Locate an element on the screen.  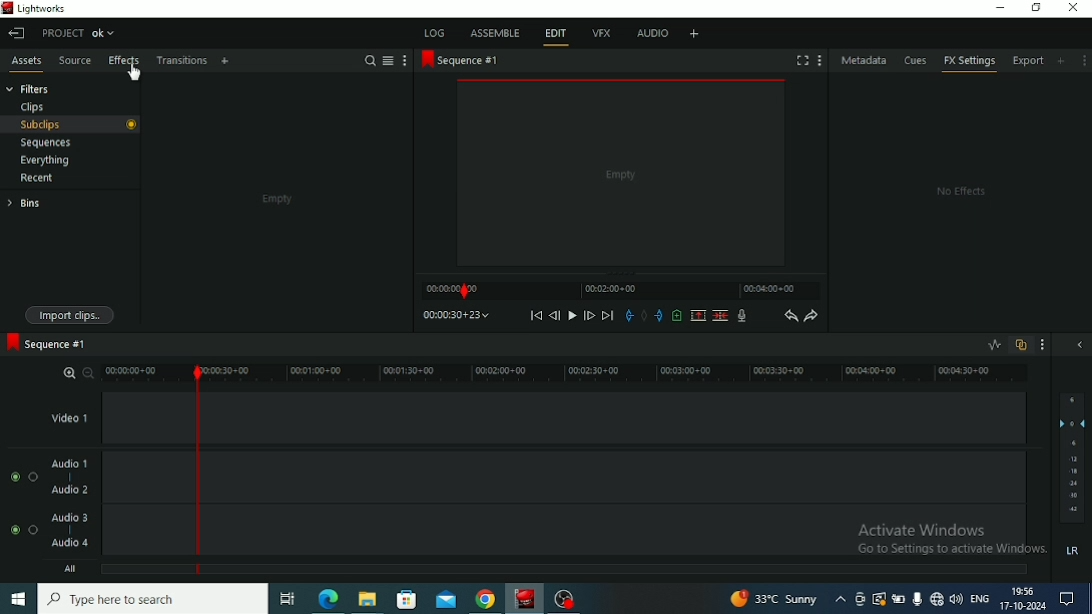
Toggle audio level editing is located at coordinates (994, 344).